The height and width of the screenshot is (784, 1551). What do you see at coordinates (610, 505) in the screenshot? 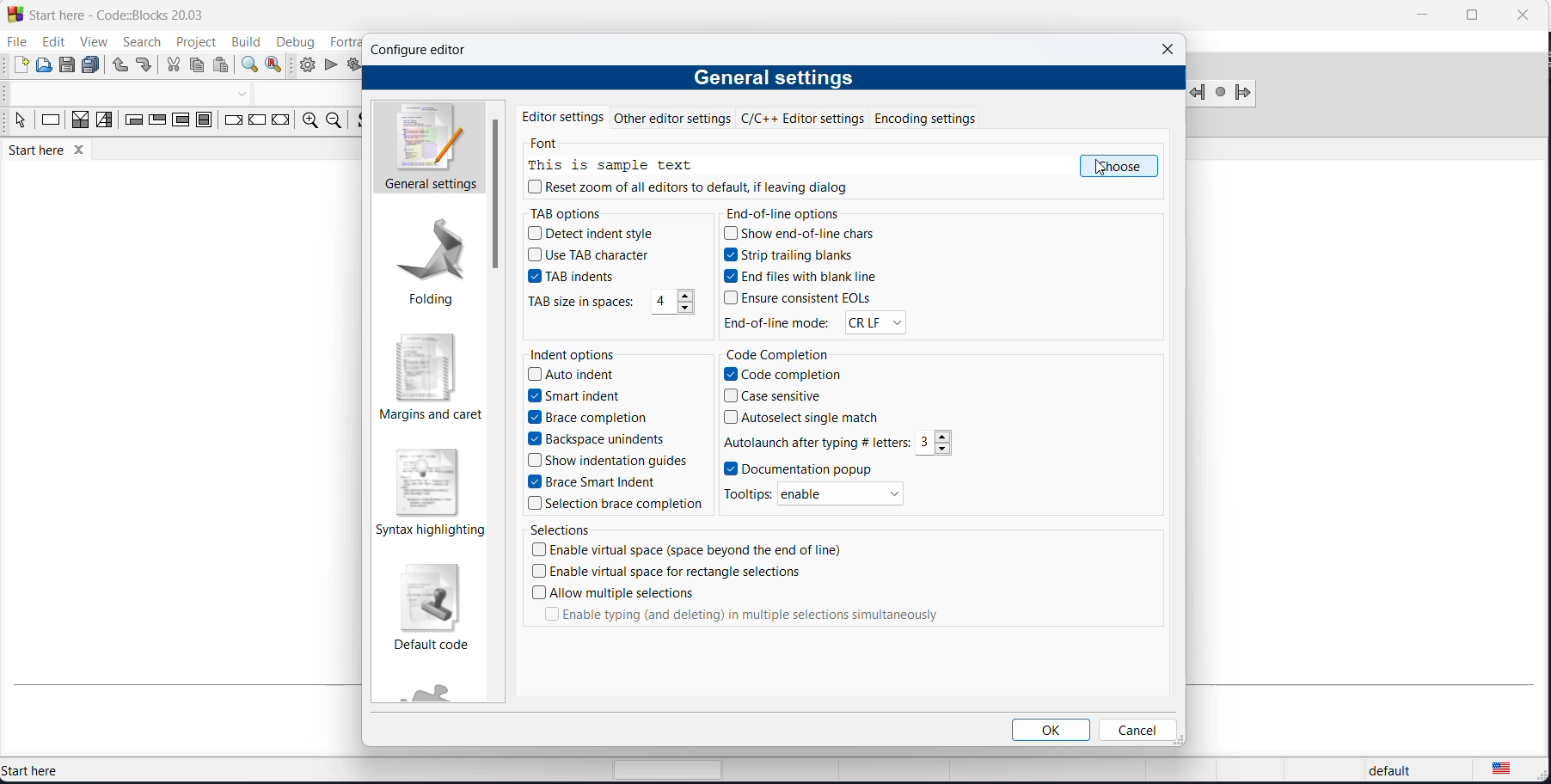
I see `selection brace competion` at bounding box center [610, 505].